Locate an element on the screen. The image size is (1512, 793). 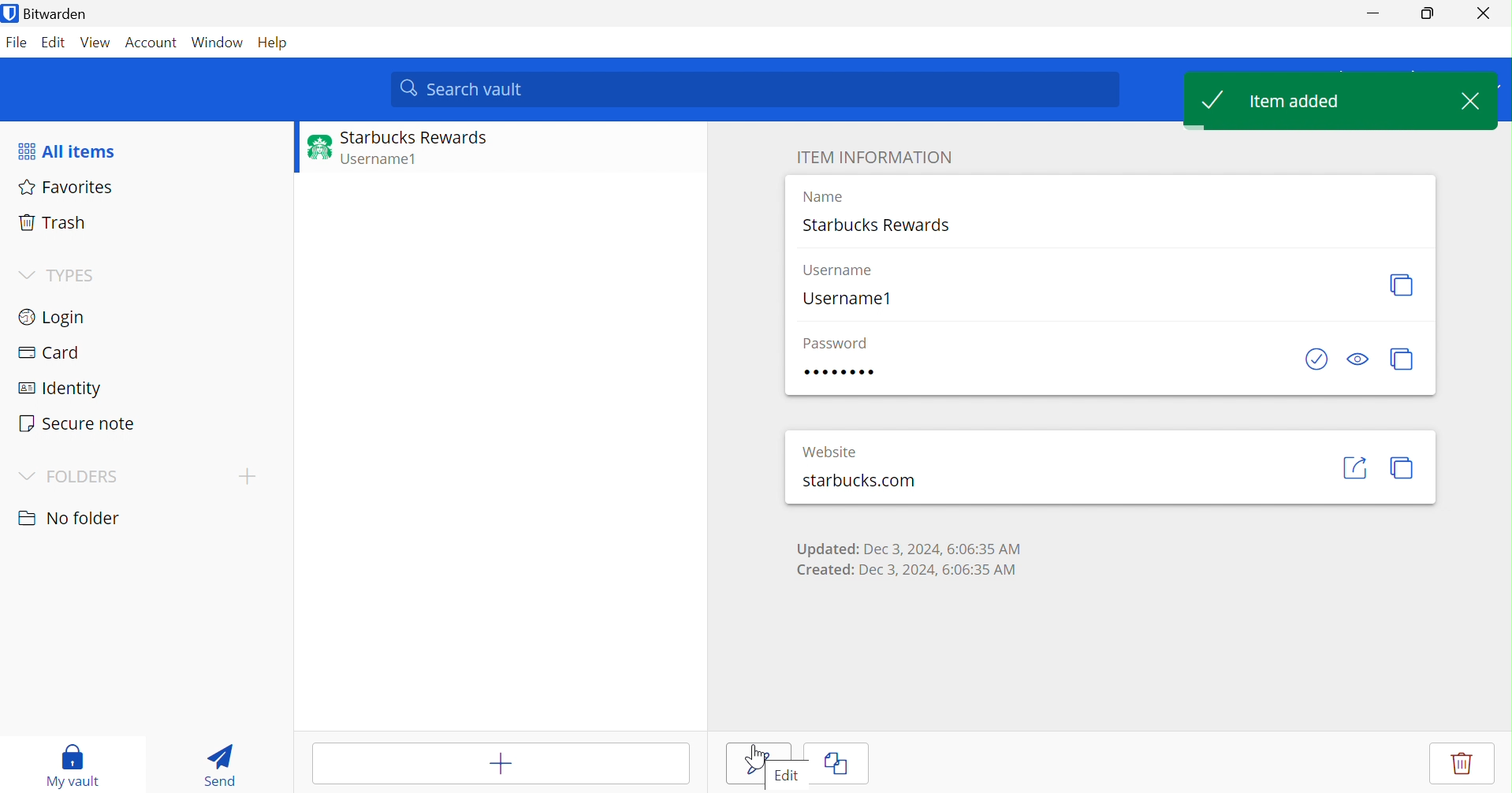
Drop Down is located at coordinates (28, 276).